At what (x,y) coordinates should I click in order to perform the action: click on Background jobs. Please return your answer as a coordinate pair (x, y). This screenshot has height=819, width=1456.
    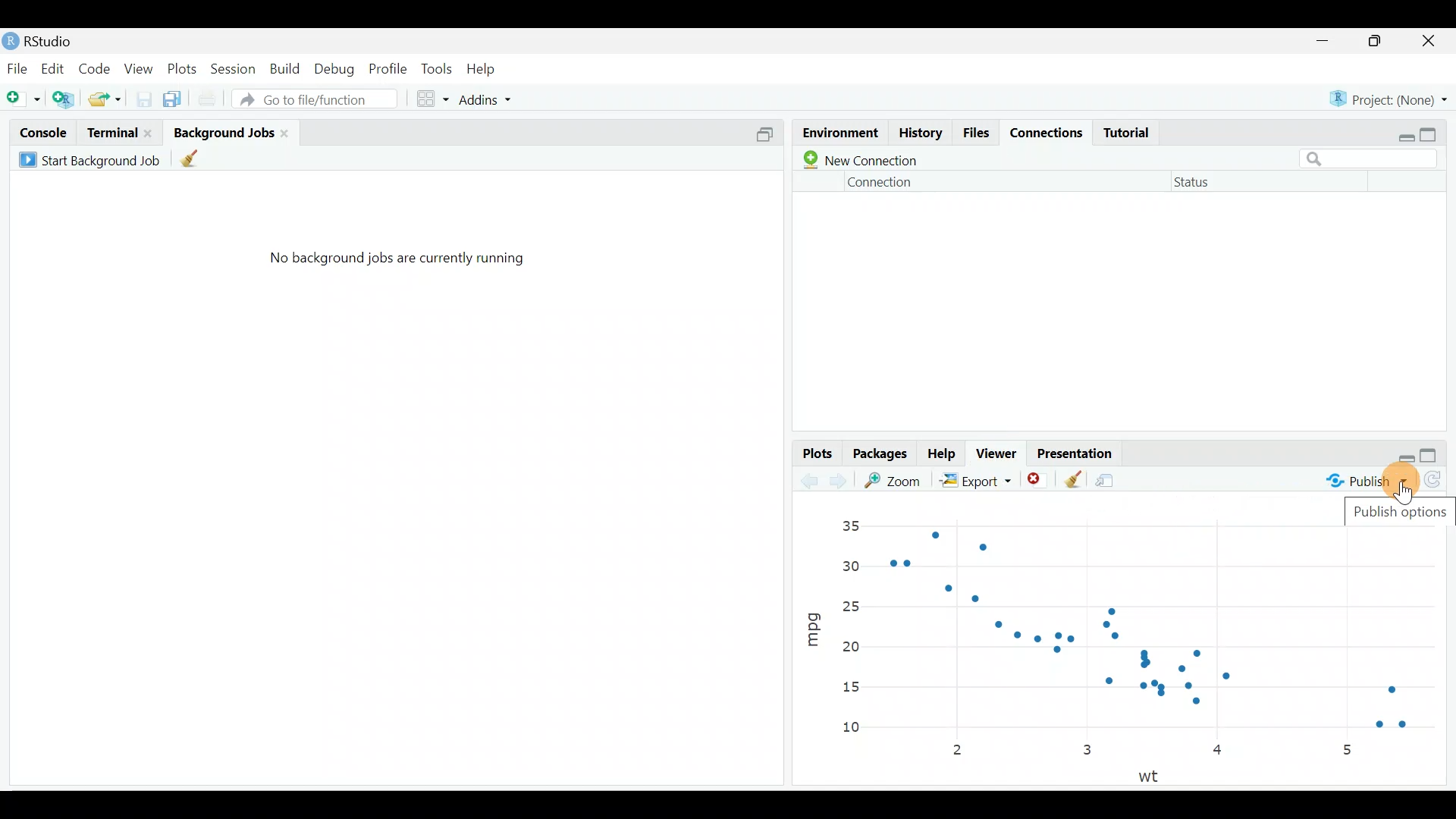
    Looking at the image, I should click on (223, 127).